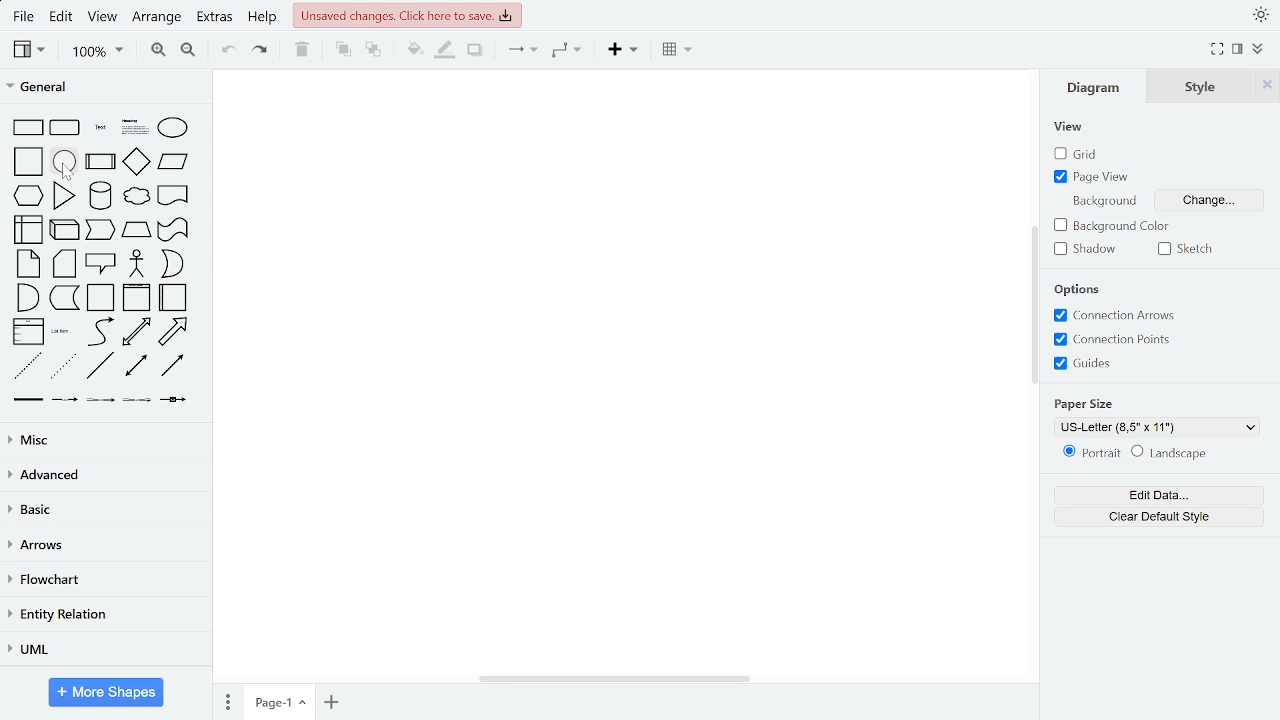 This screenshot has height=720, width=1280. Describe the element at coordinates (100, 399) in the screenshot. I see `link with 2 label` at that location.